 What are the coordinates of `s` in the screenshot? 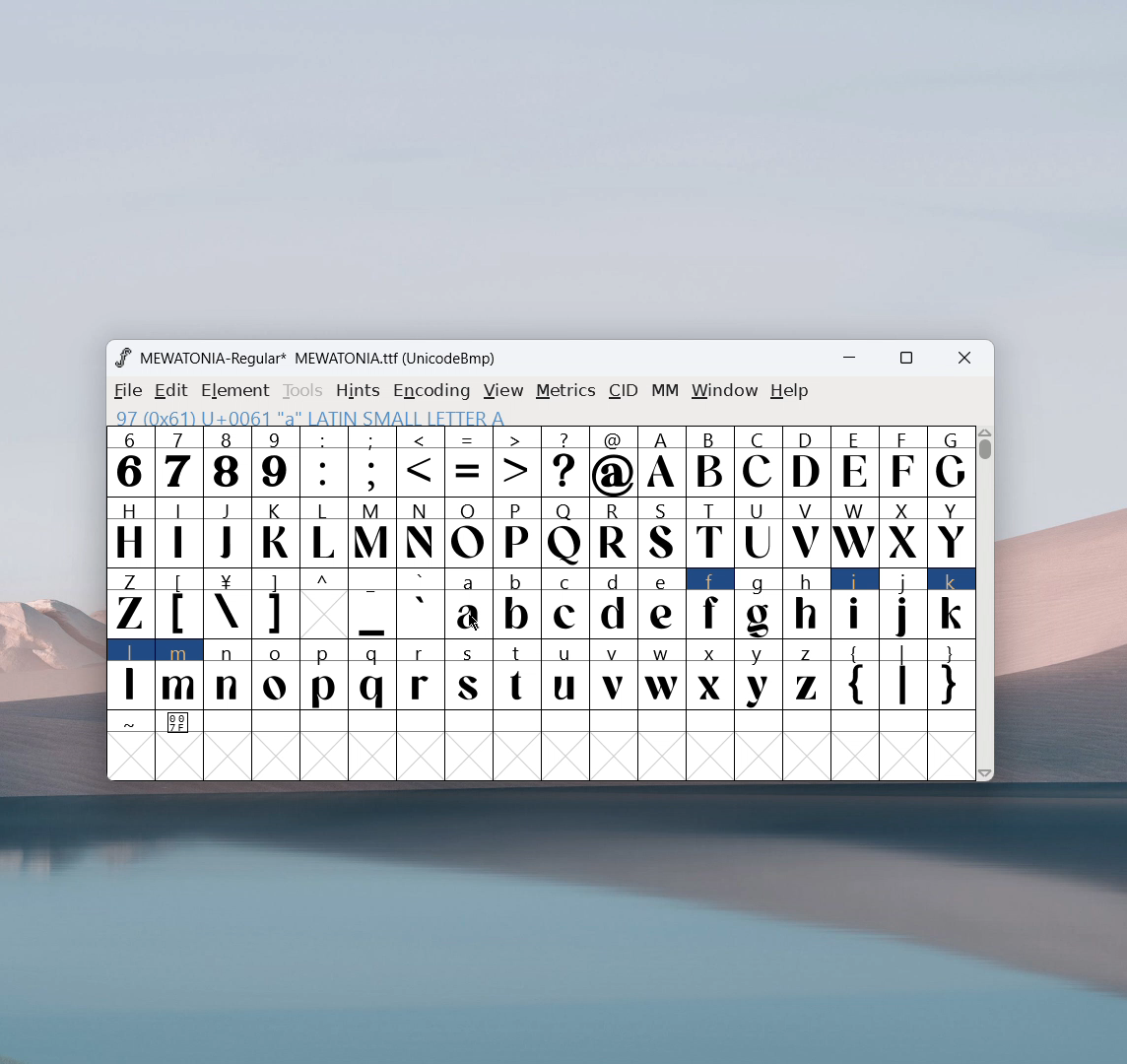 It's located at (469, 676).